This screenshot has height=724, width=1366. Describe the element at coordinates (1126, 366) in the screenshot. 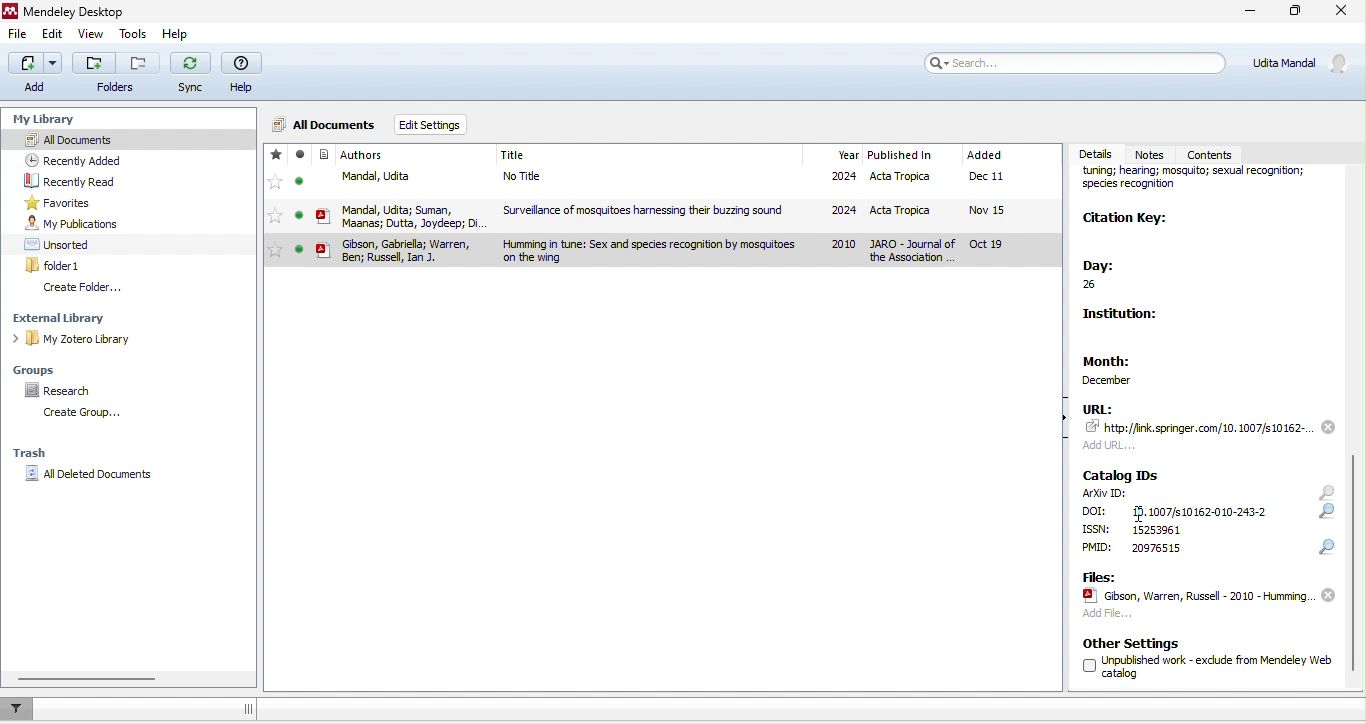

I see `month: december` at that location.